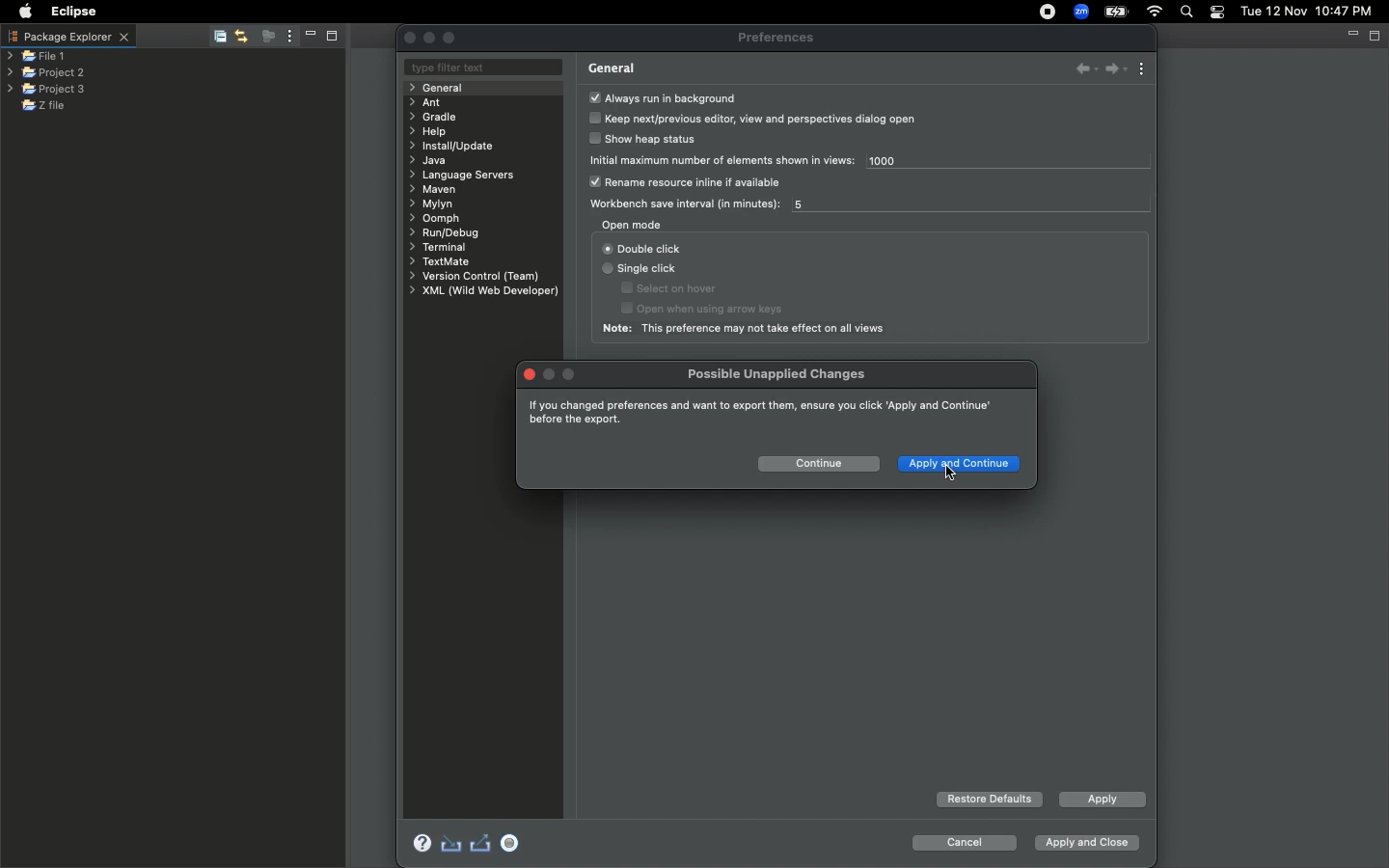  What do you see at coordinates (571, 372) in the screenshot?
I see `maximize` at bounding box center [571, 372].